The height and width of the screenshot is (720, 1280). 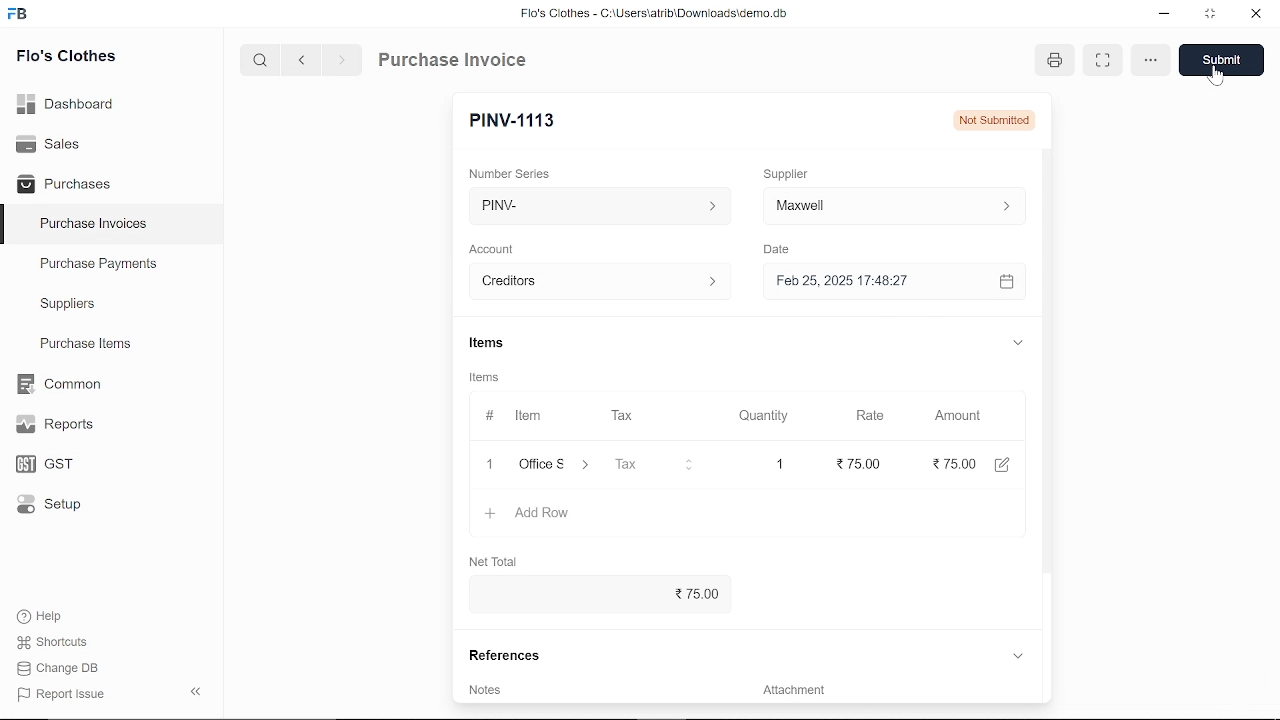 I want to click on Shortcuts, so click(x=49, y=643).